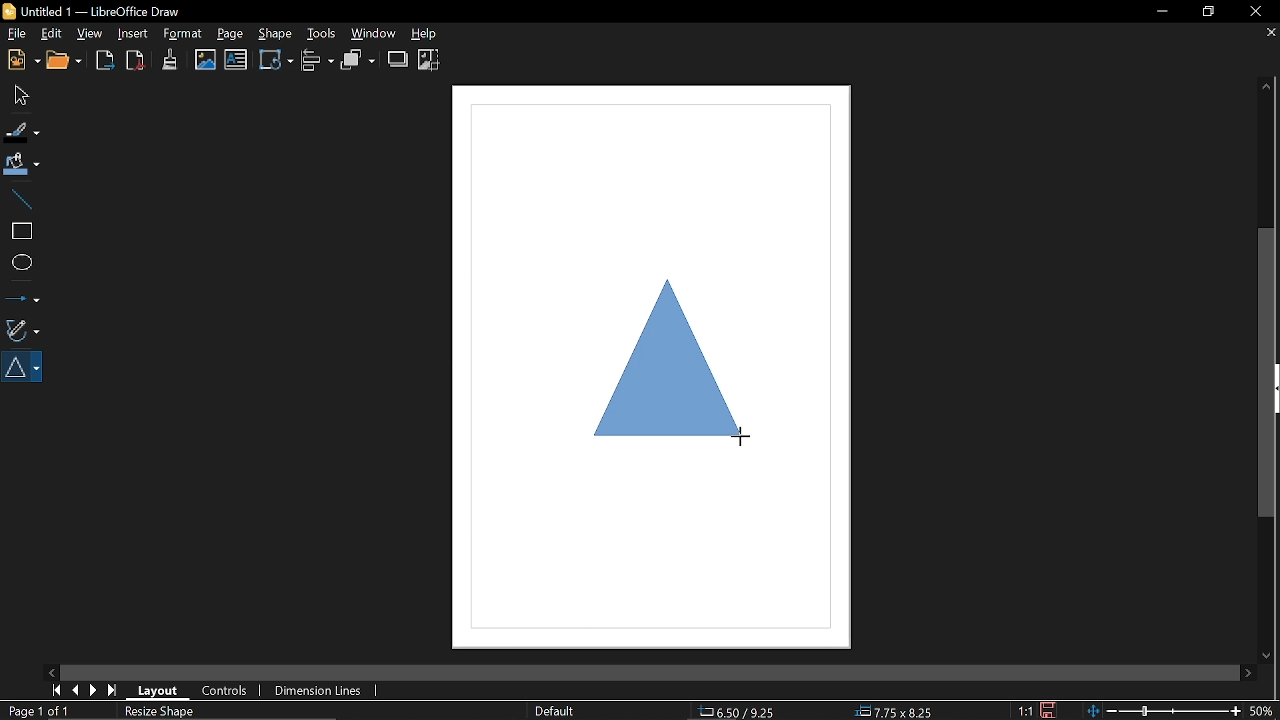 The image size is (1280, 720). I want to click on View, so click(90, 33).